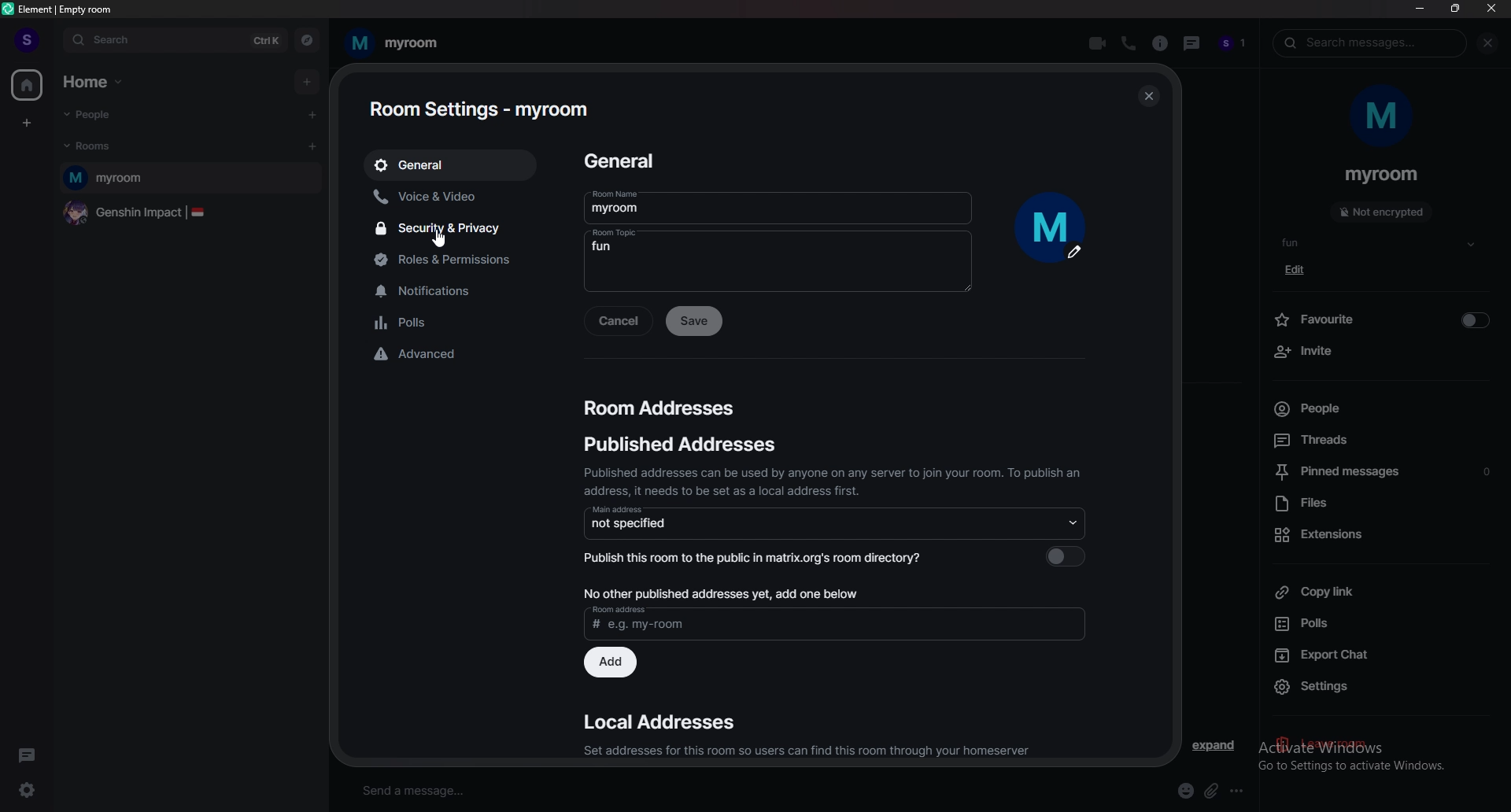 Image resolution: width=1511 pixels, height=812 pixels. I want to click on upload profile, so click(1051, 227).